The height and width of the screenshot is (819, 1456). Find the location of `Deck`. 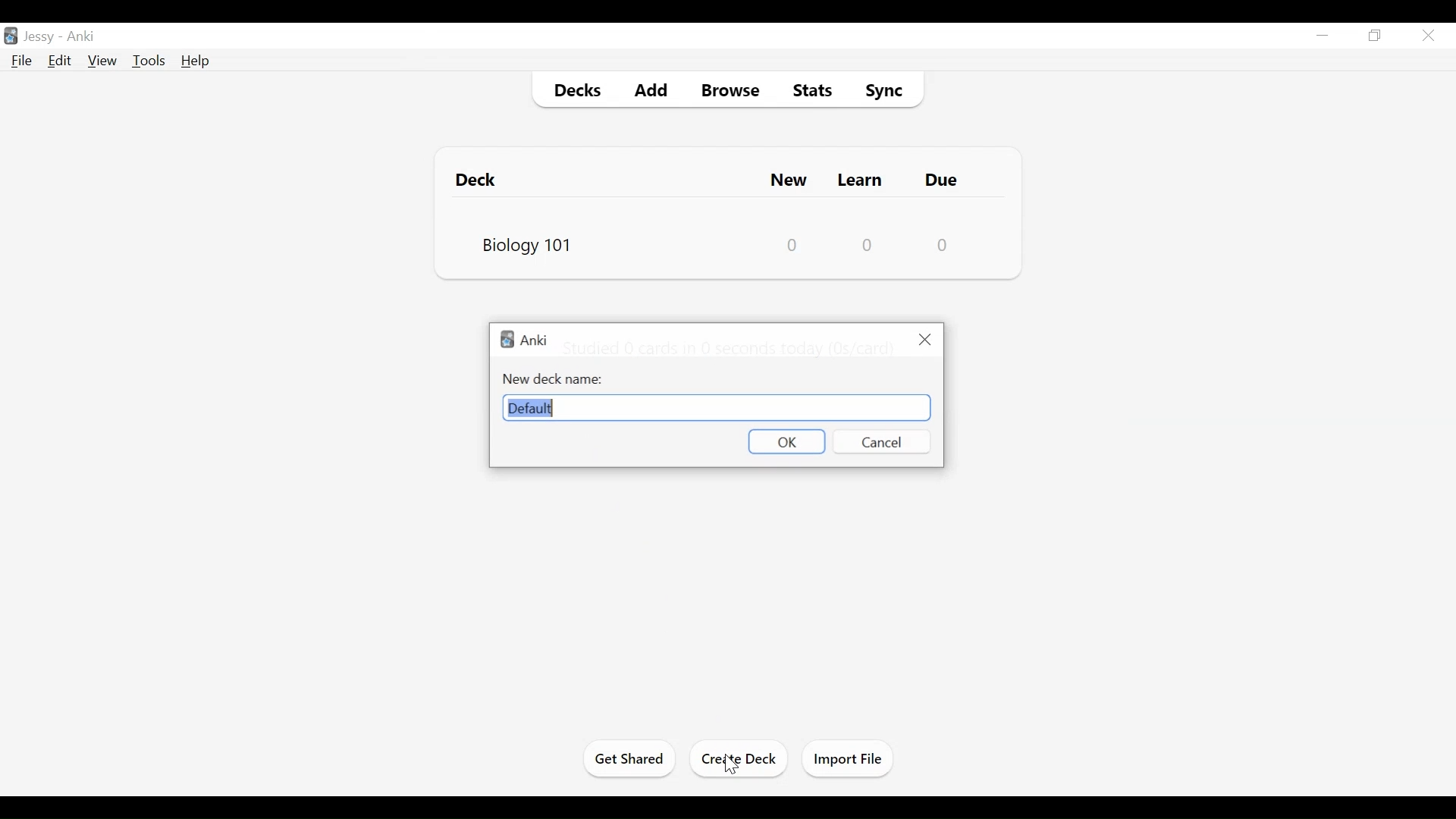

Deck is located at coordinates (482, 179).